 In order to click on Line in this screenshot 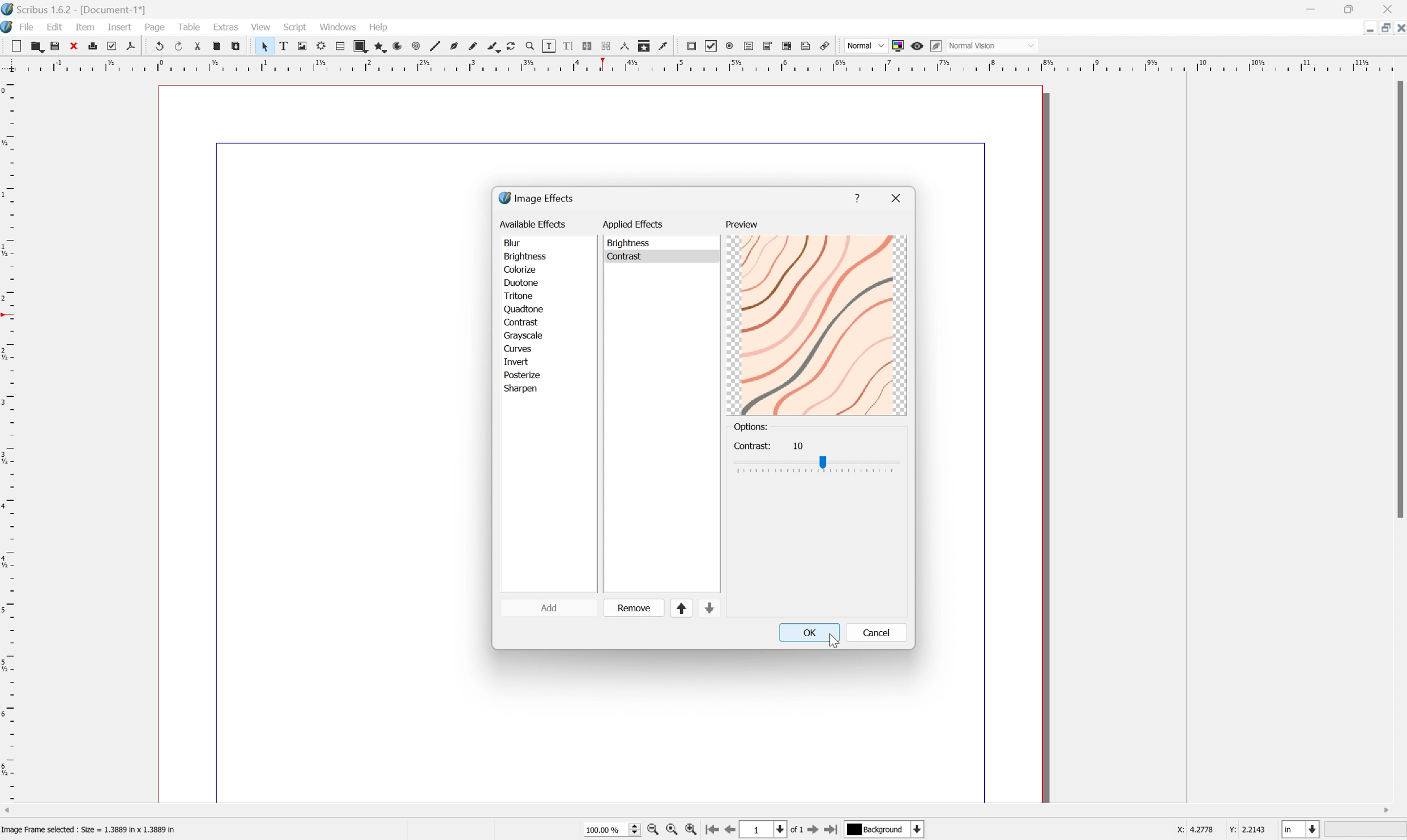, I will do `click(438, 44)`.